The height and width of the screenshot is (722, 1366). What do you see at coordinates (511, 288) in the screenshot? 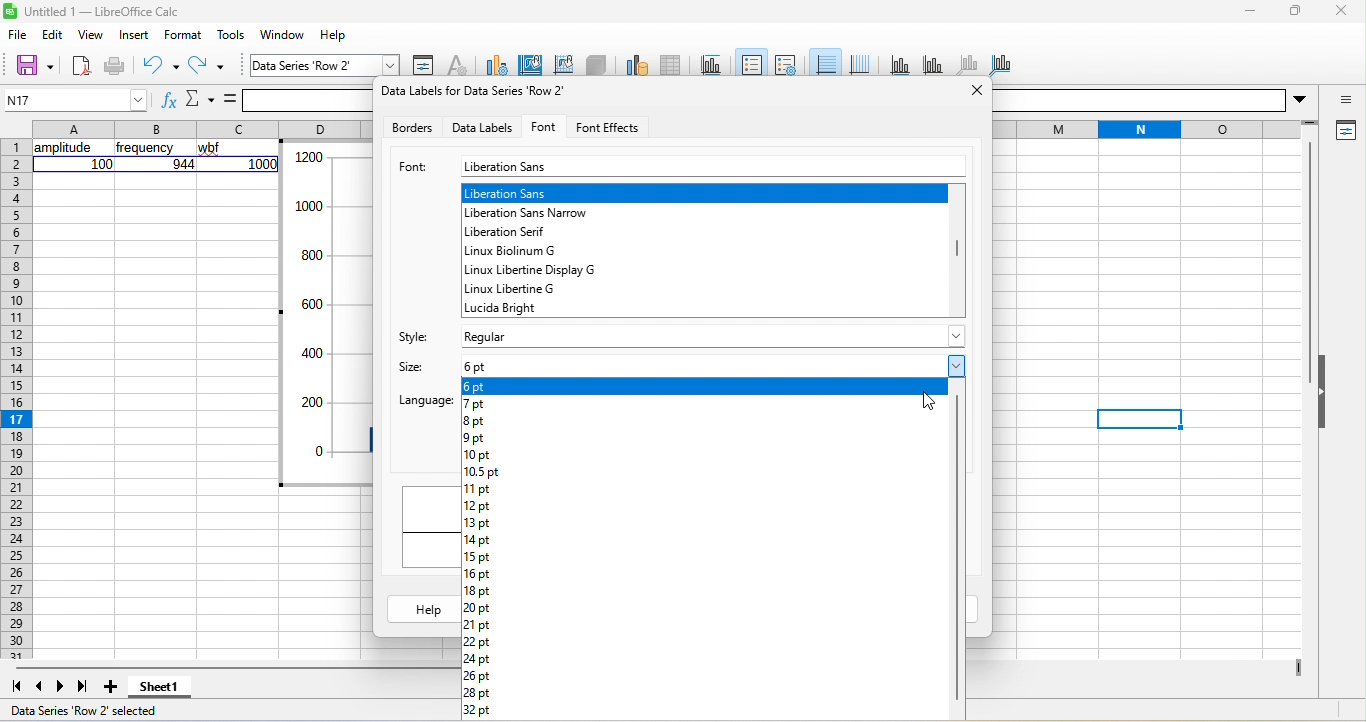
I see `linux libertine g` at bounding box center [511, 288].